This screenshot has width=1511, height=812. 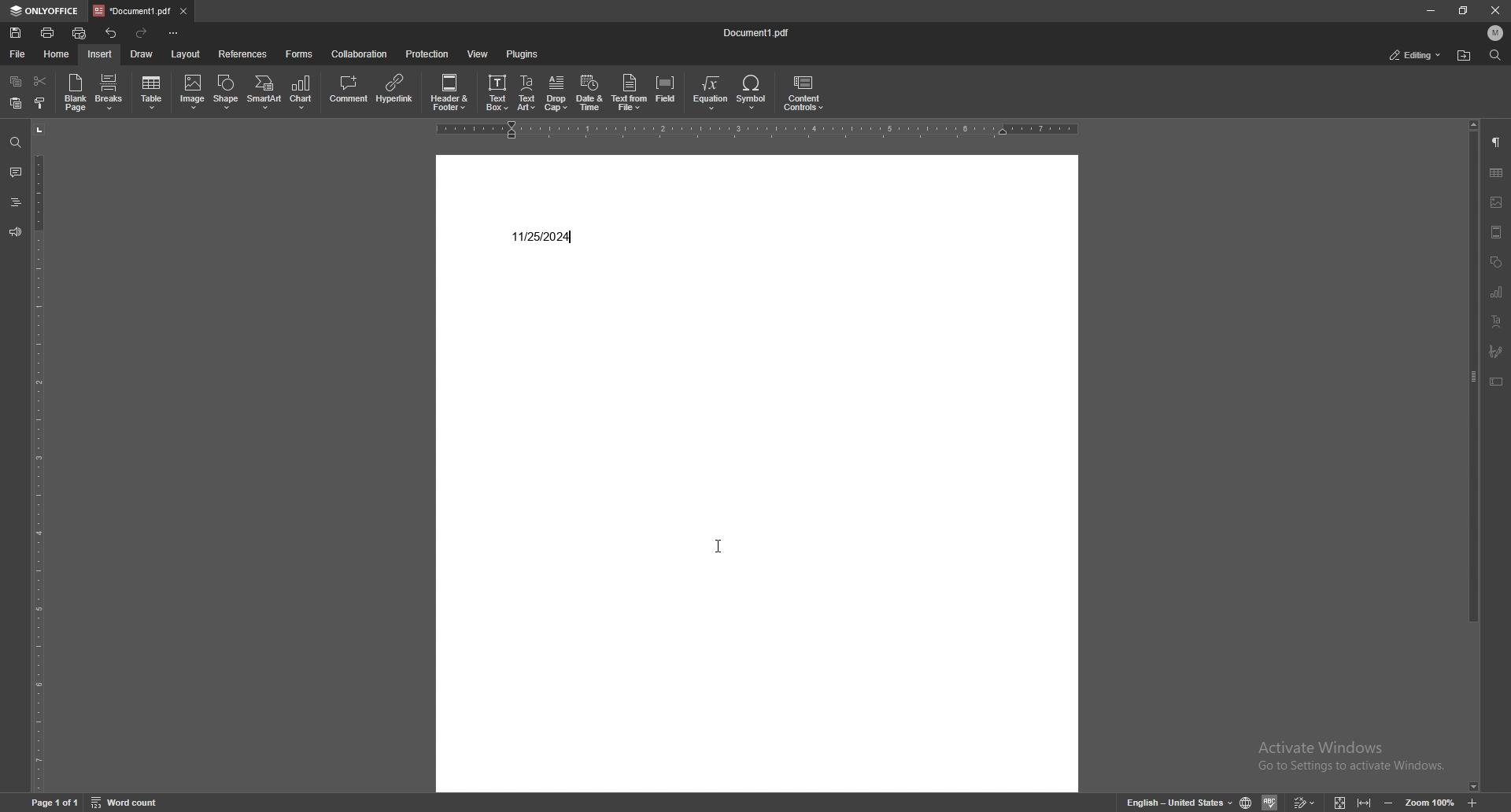 I want to click on word count, so click(x=127, y=803).